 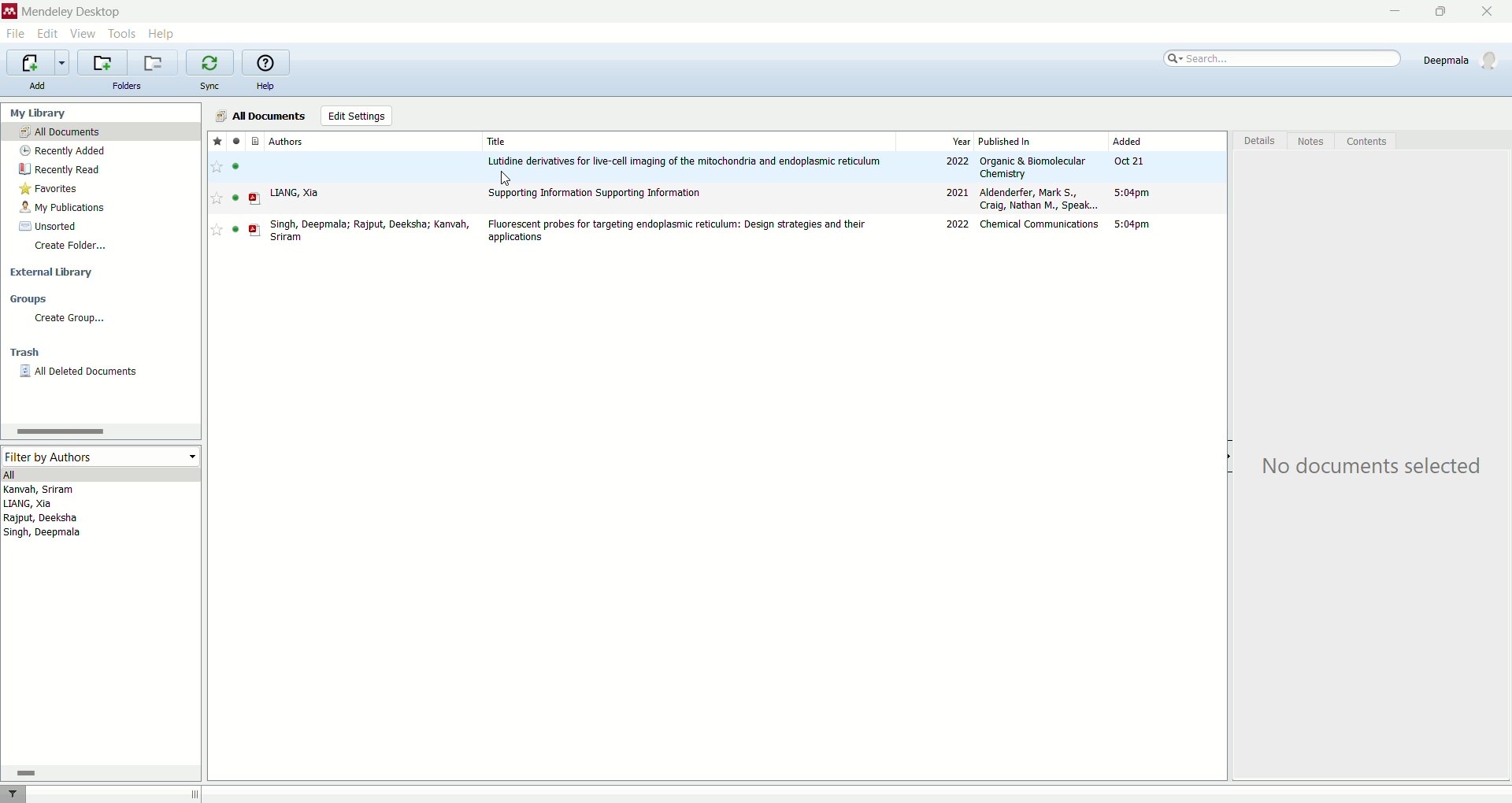 I want to click on PDF, so click(x=256, y=231).